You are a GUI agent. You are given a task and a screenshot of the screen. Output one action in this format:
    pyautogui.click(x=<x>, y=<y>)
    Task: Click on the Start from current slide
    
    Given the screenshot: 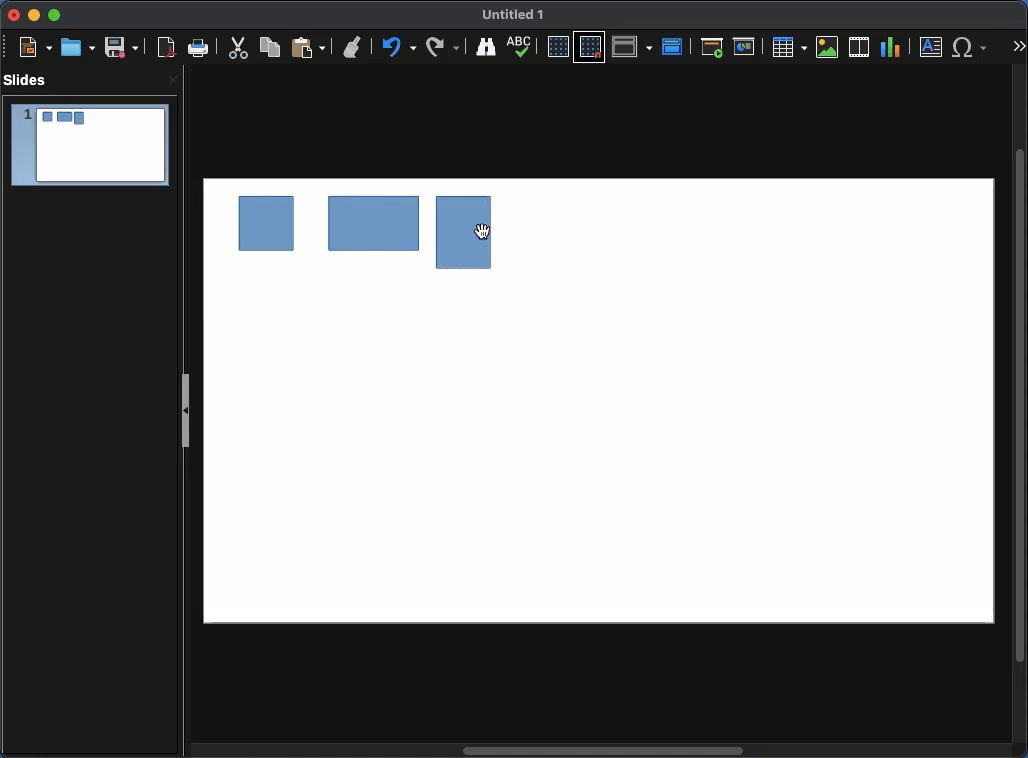 What is the action you would take?
    pyautogui.click(x=745, y=48)
    